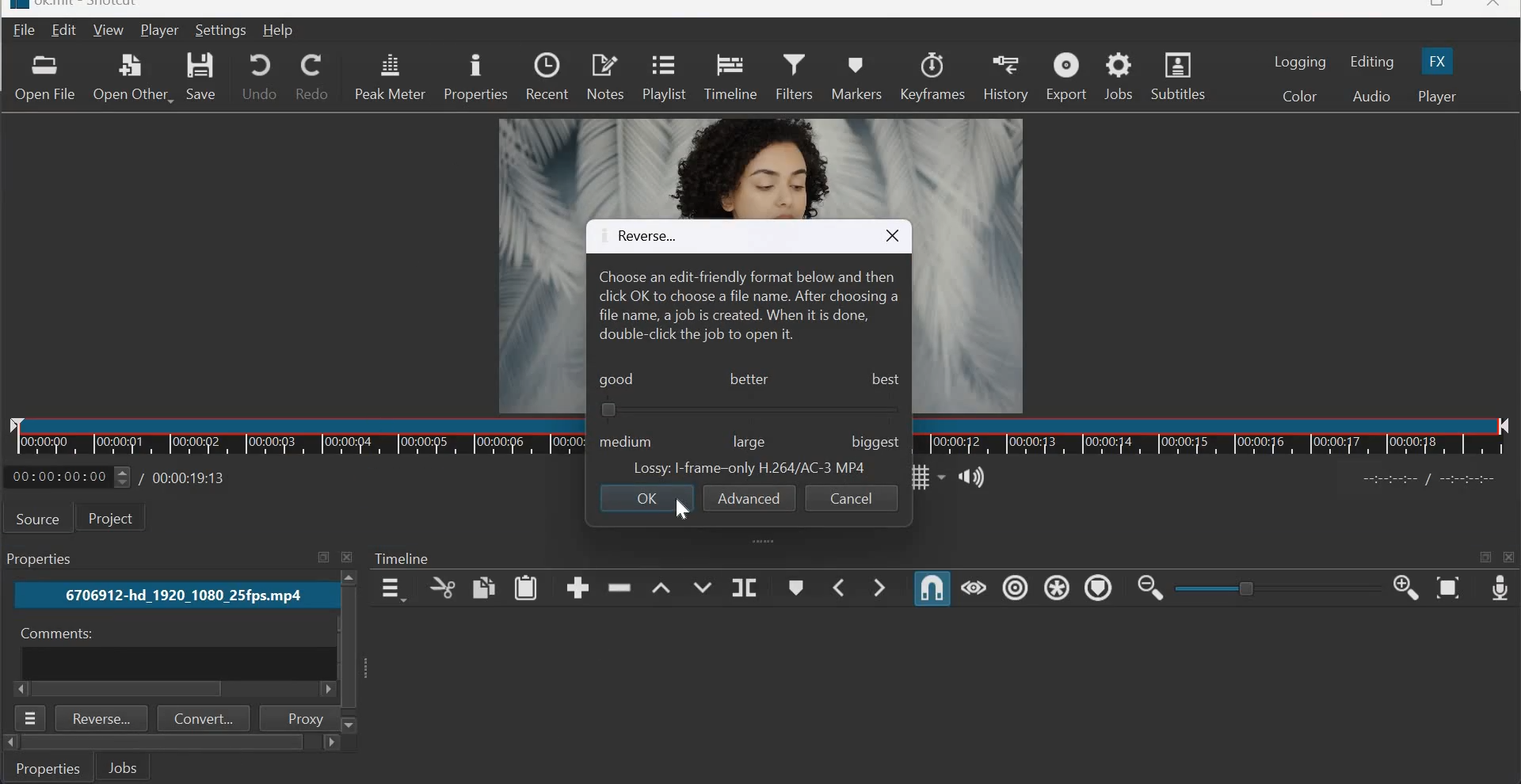 The width and height of the screenshot is (1521, 784). I want to click on Jobs, so click(123, 767).